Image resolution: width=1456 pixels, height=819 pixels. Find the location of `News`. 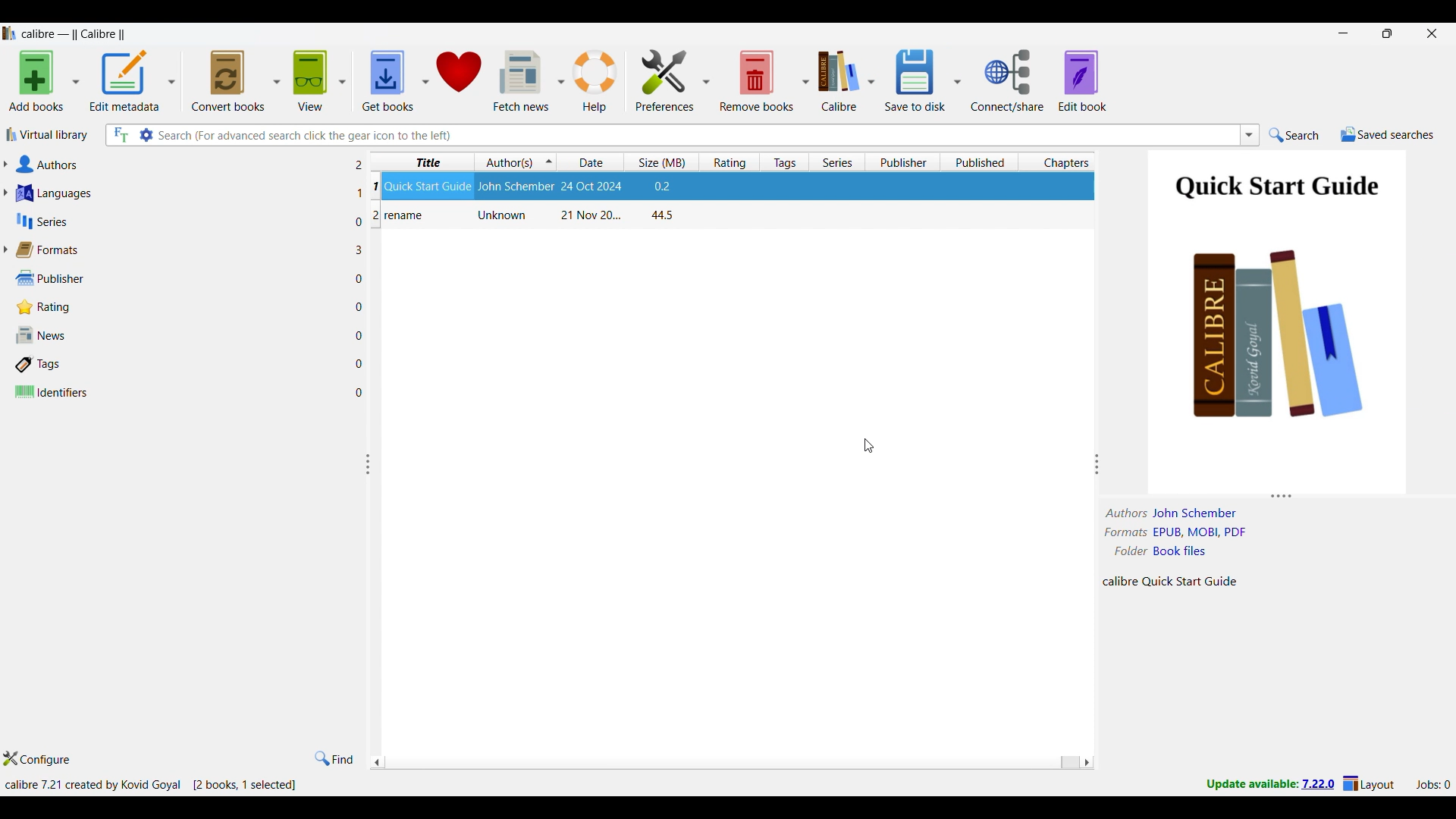

News is located at coordinates (180, 335).